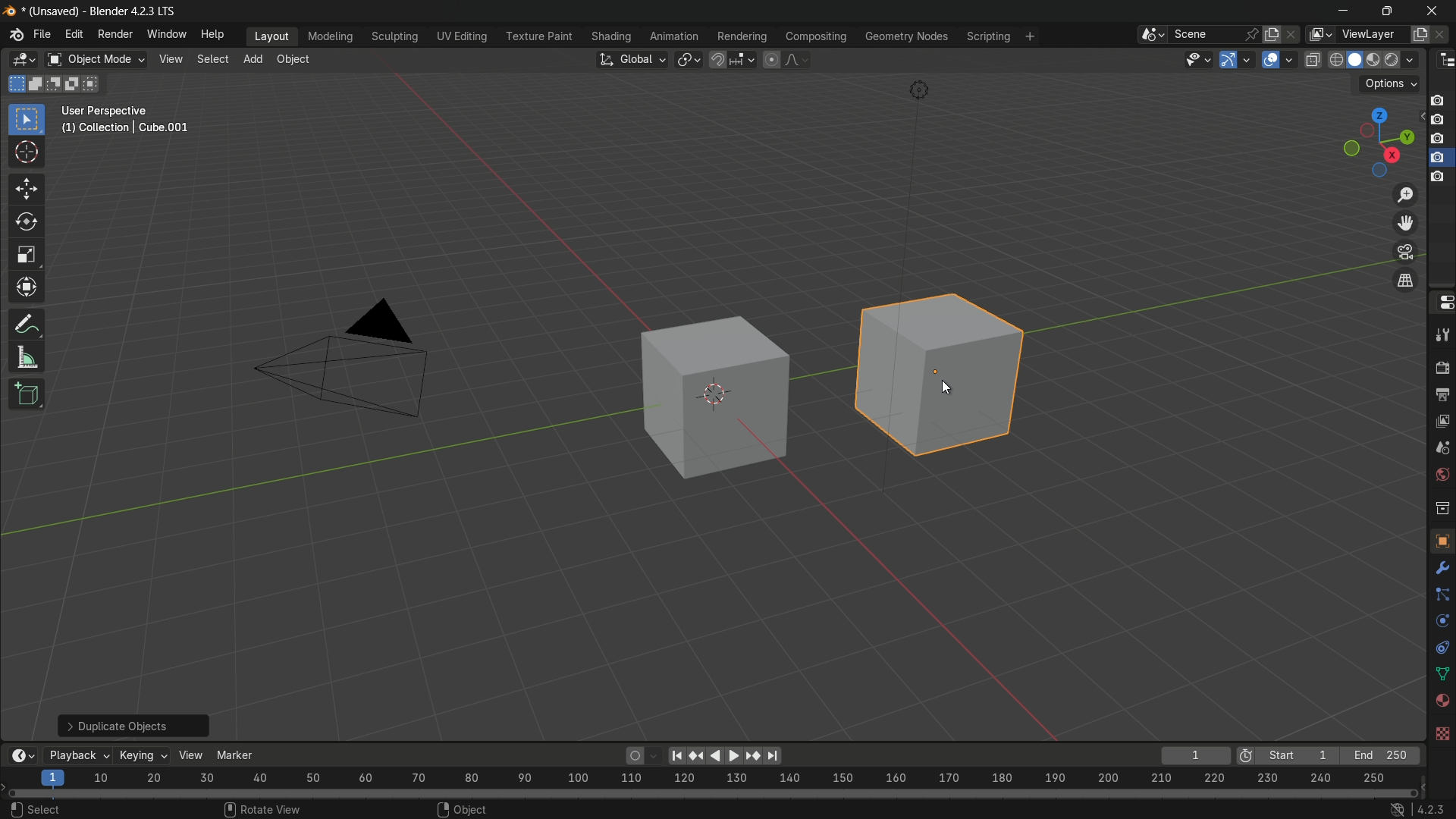 The image size is (1456, 819). What do you see at coordinates (391, 36) in the screenshot?
I see `sculpting menu` at bounding box center [391, 36].